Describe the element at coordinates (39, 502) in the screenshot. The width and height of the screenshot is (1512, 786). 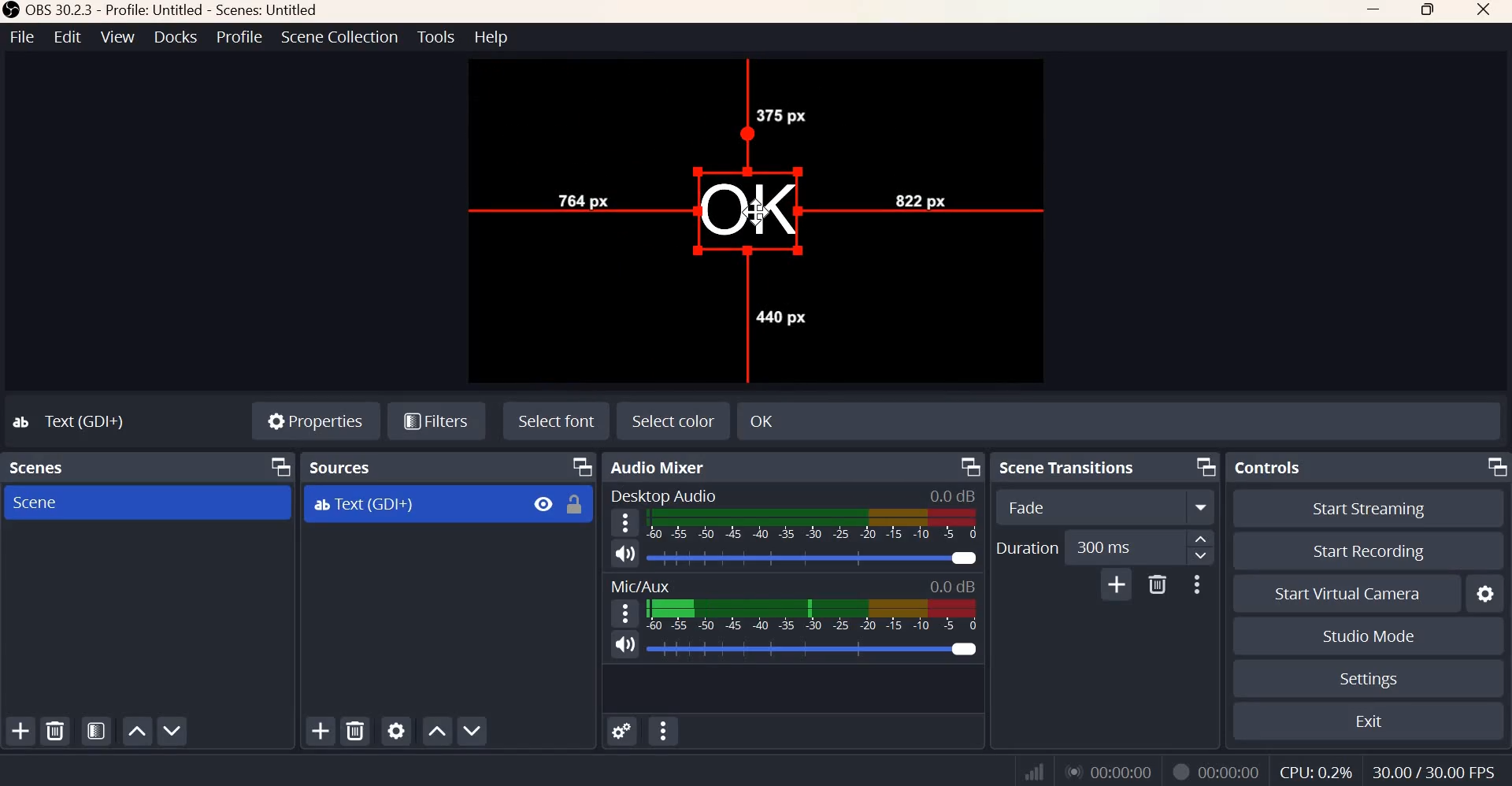
I see `Scene` at that location.